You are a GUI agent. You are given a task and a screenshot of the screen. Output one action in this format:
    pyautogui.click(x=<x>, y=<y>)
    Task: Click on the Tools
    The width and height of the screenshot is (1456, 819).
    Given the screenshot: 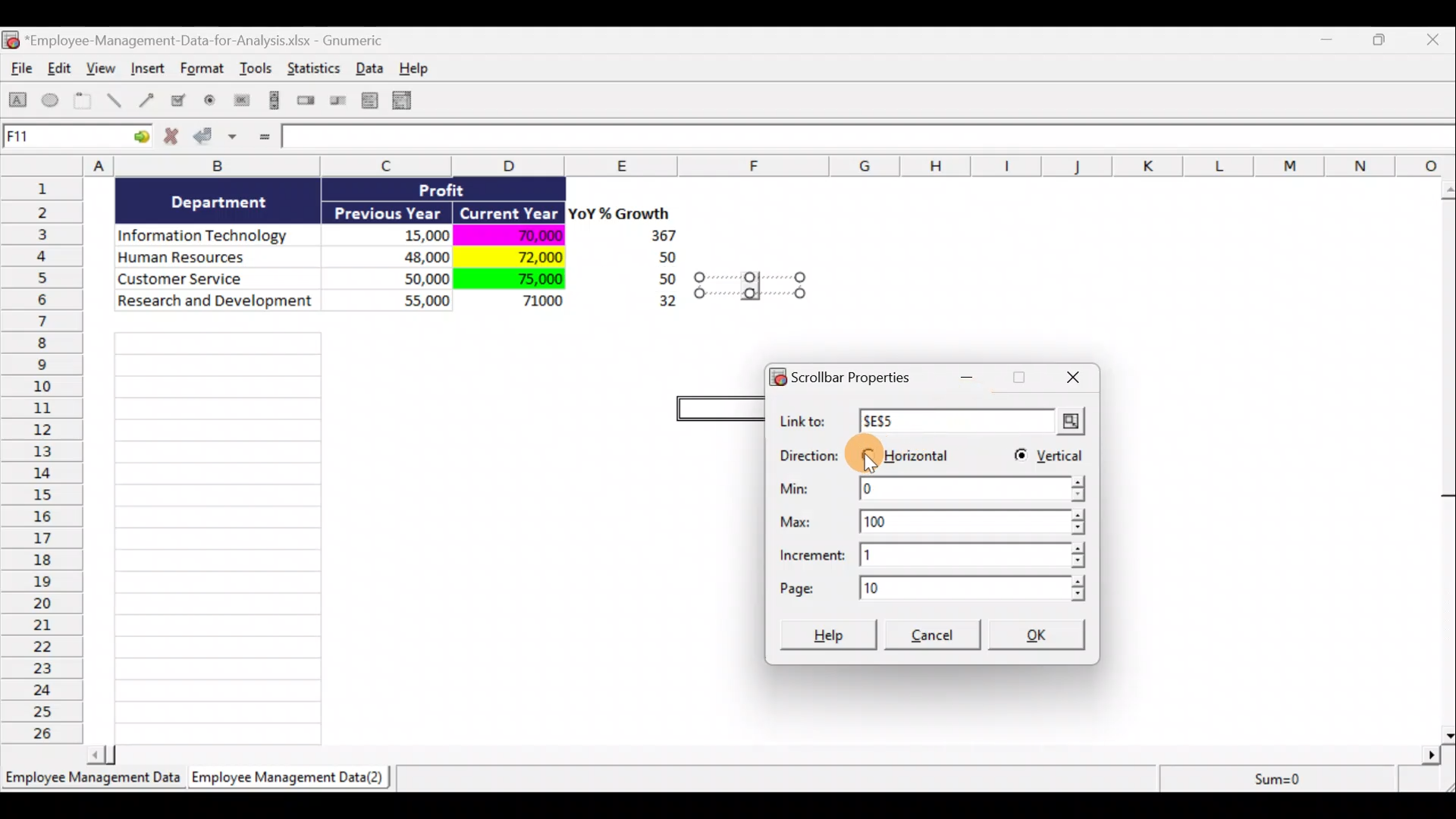 What is the action you would take?
    pyautogui.click(x=258, y=71)
    